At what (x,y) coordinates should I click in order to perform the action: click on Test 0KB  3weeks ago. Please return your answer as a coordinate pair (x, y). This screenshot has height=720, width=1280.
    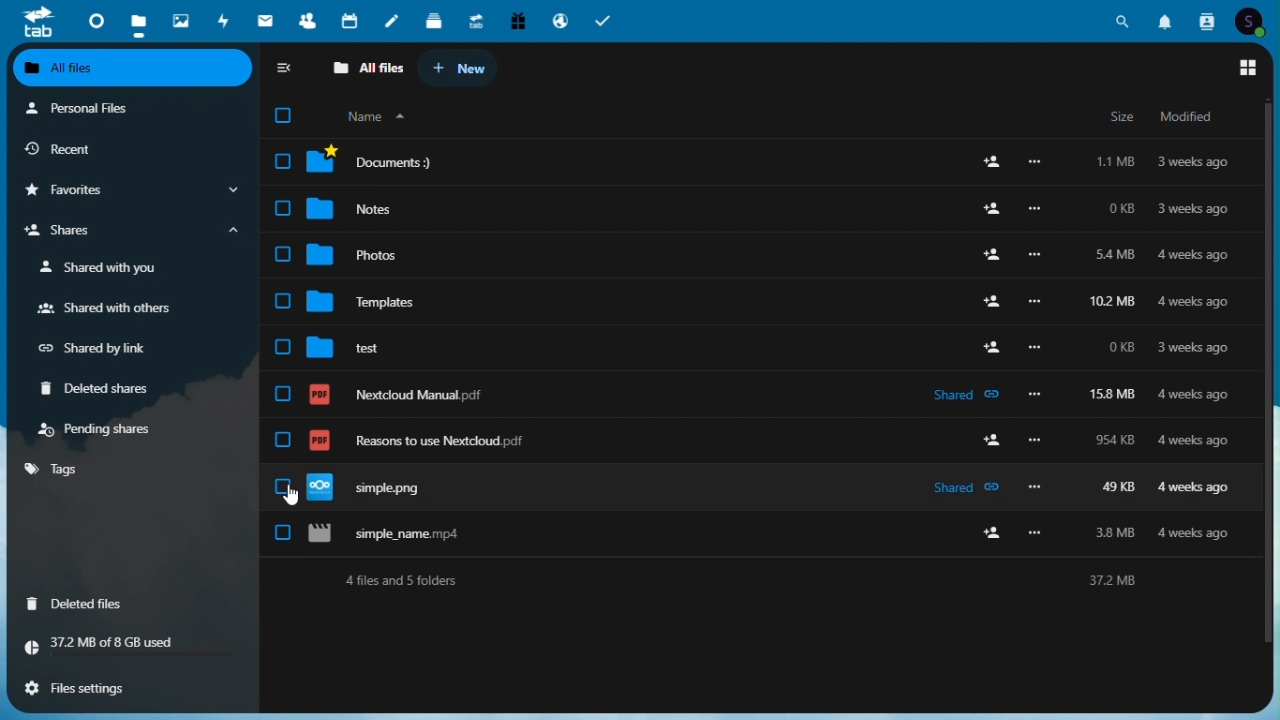
    Looking at the image, I should click on (760, 339).